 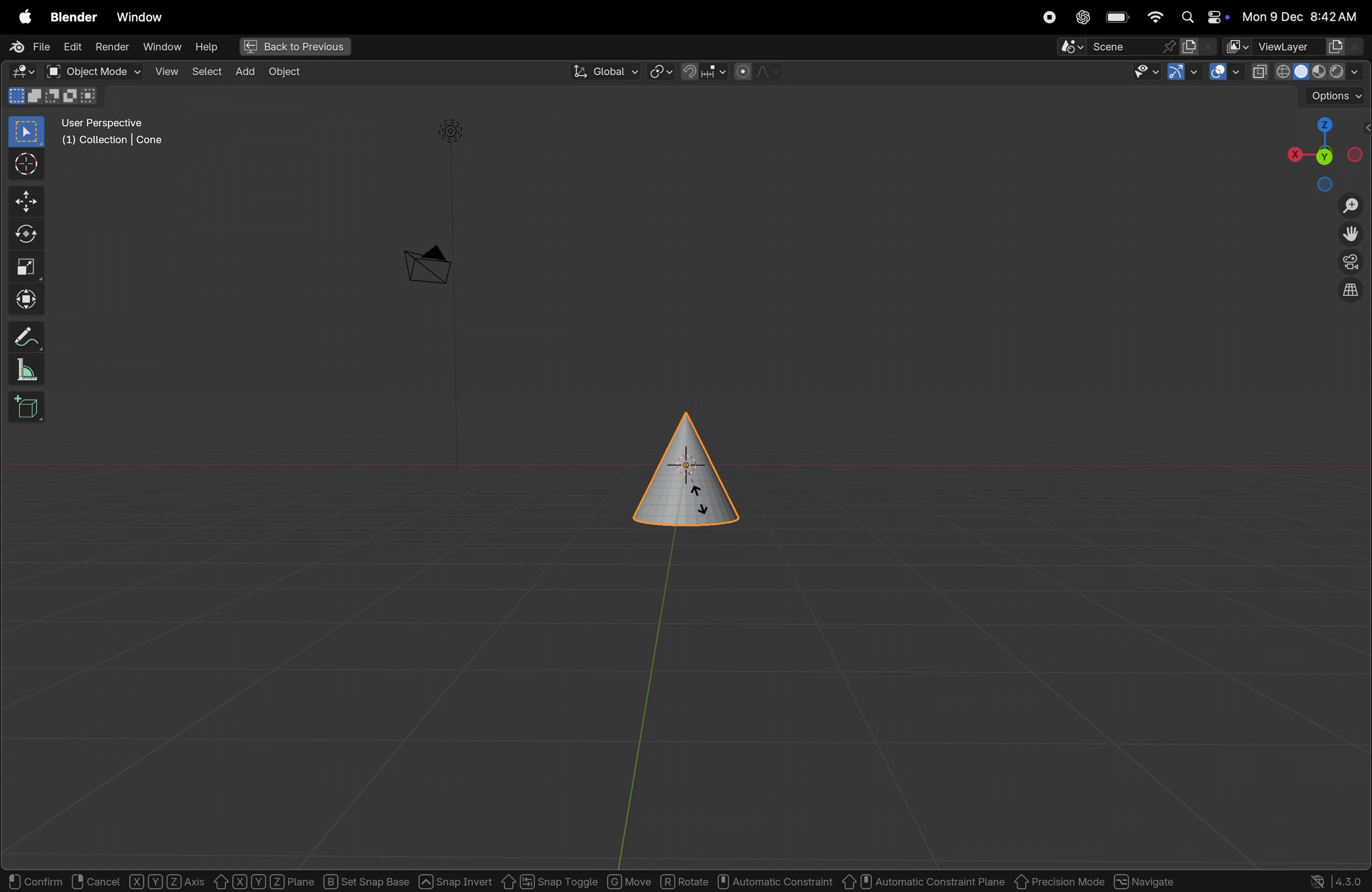 I want to click on apple widgets, so click(x=1201, y=17).